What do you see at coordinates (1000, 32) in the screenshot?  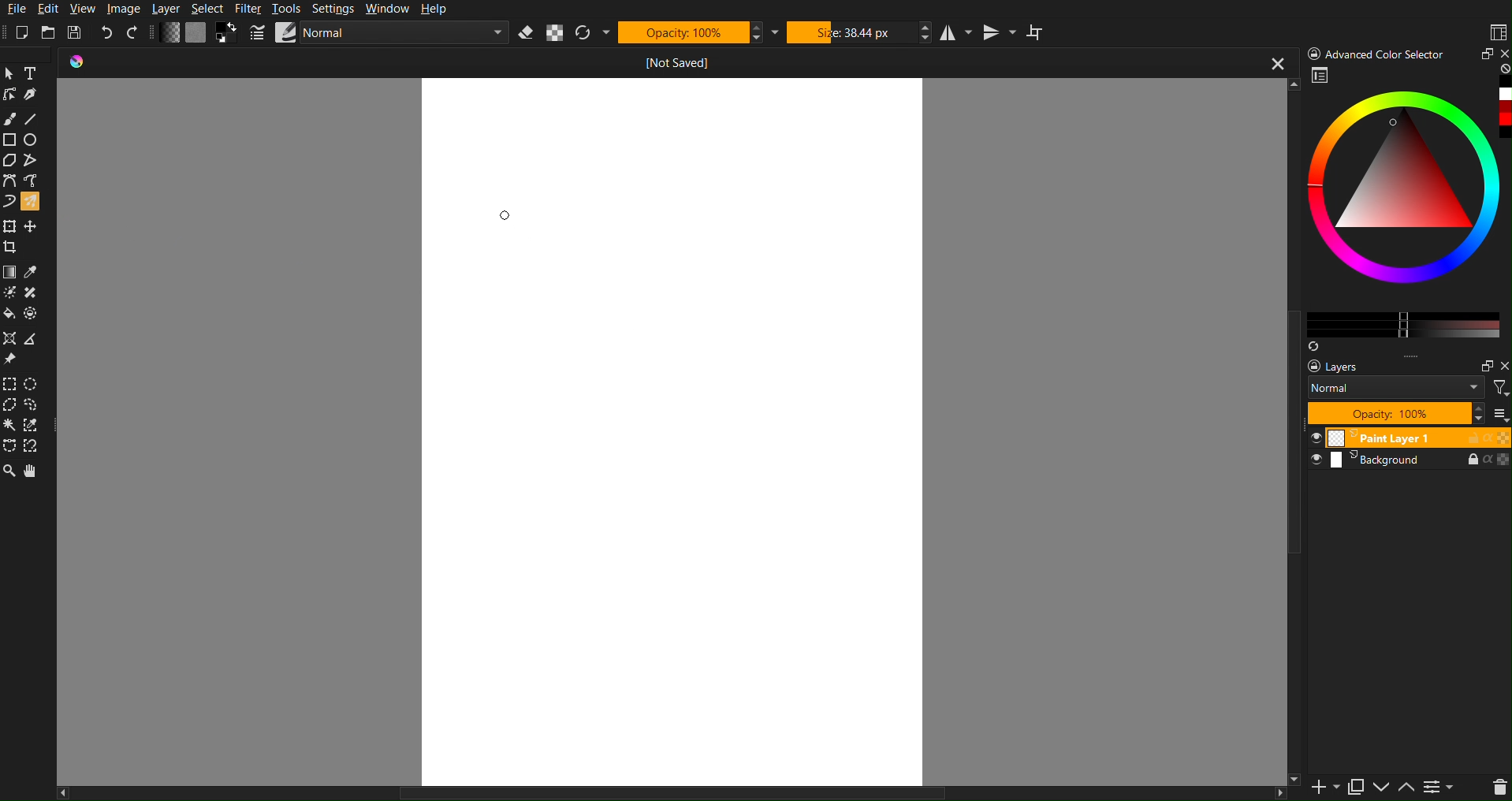 I see `Vertical Mirror` at bounding box center [1000, 32].